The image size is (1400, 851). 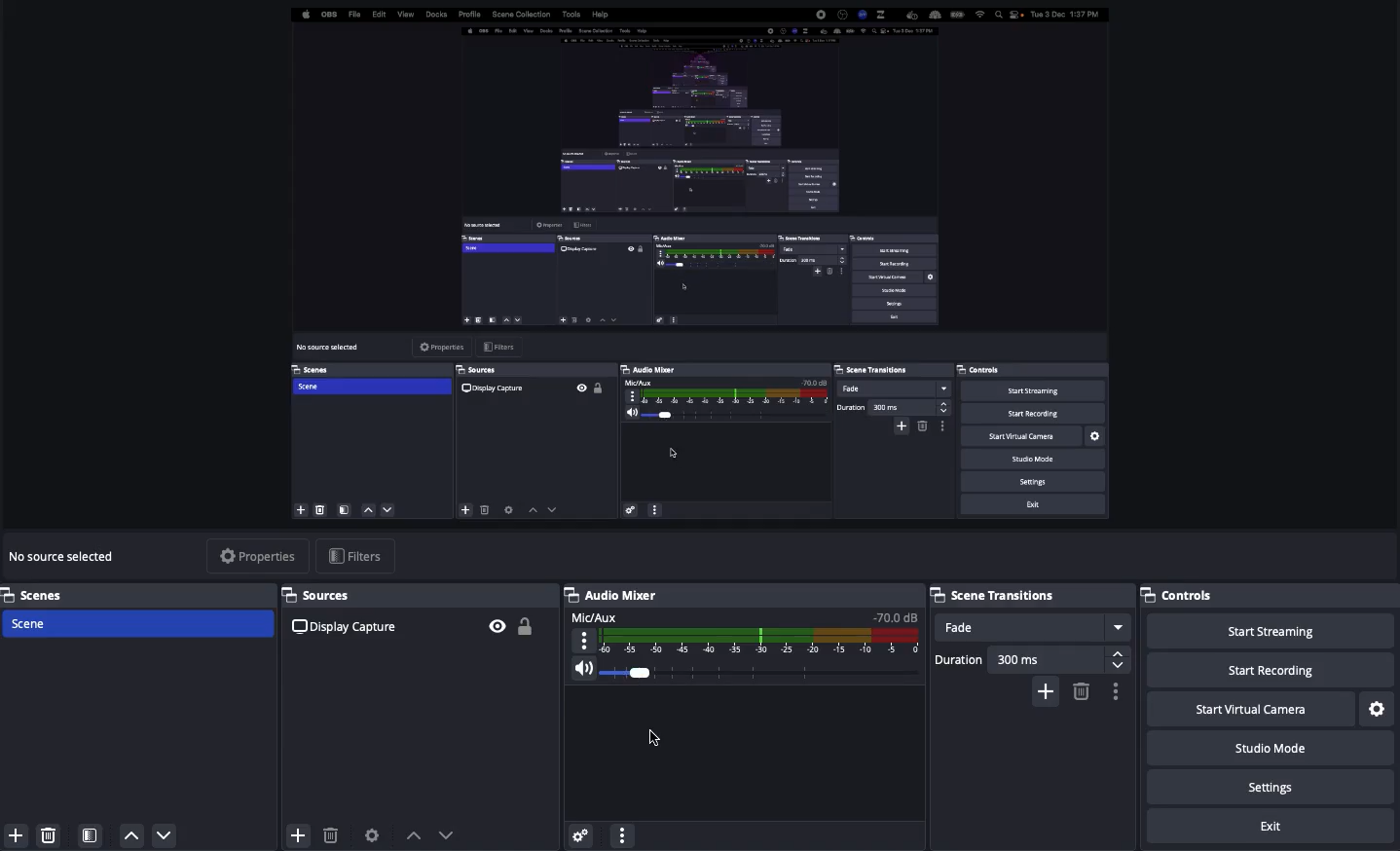 I want to click on More, so click(x=621, y=833).